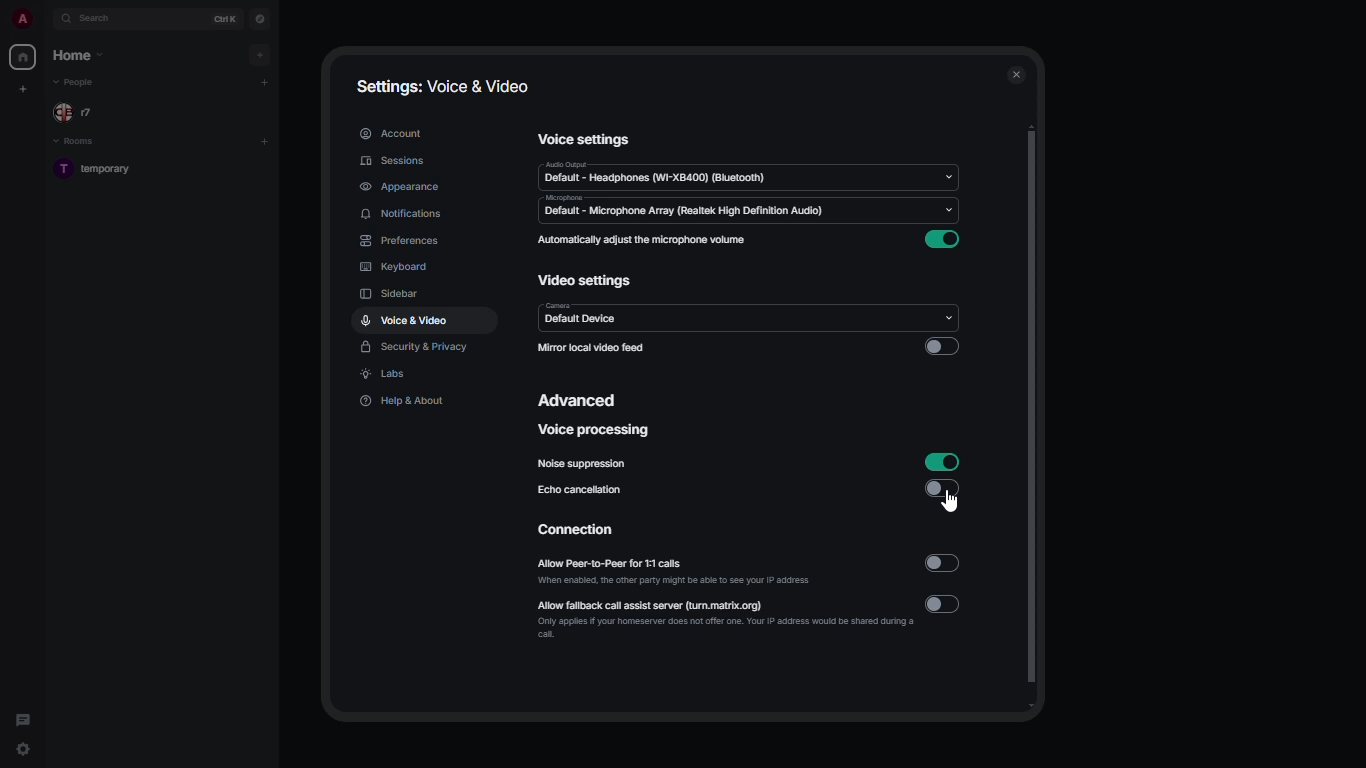 The width and height of the screenshot is (1366, 768). What do you see at coordinates (440, 85) in the screenshot?
I see `settings: voice & video` at bounding box center [440, 85].